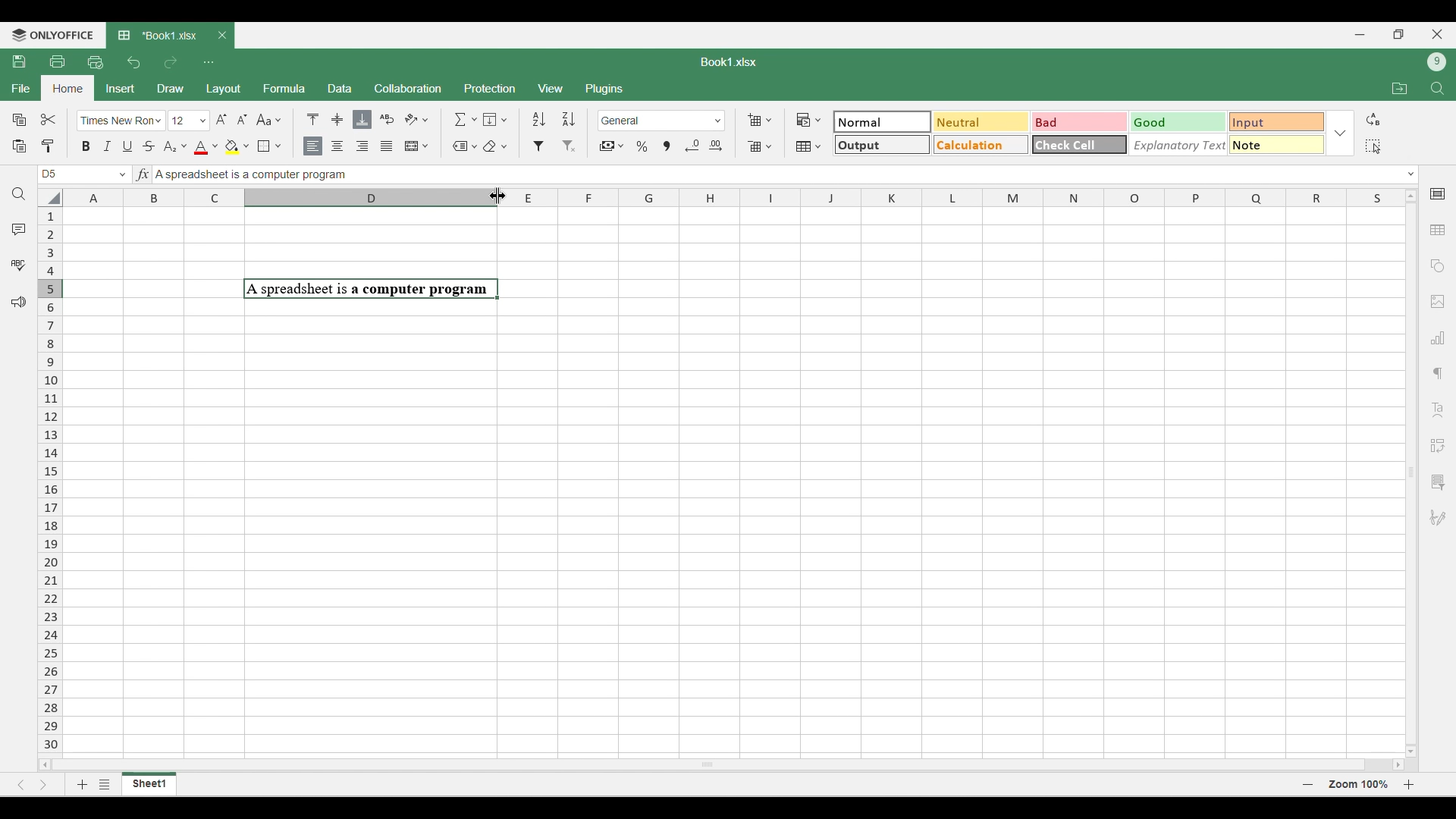 This screenshot has height=819, width=1456. I want to click on Minimize, so click(1360, 35).